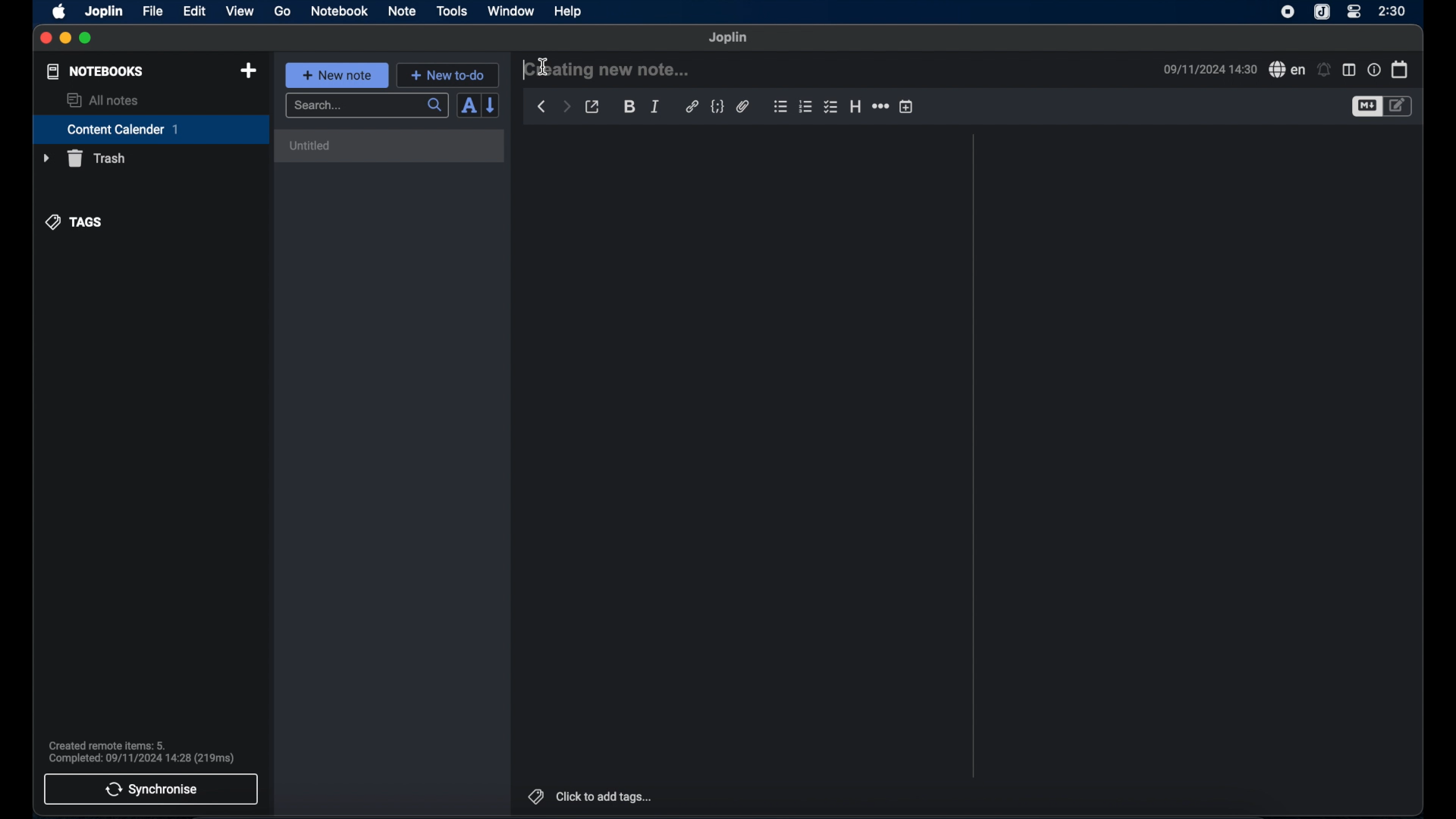 This screenshot has width=1456, height=819. Describe the element at coordinates (249, 71) in the screenshot. I see `new notebook` at that location.